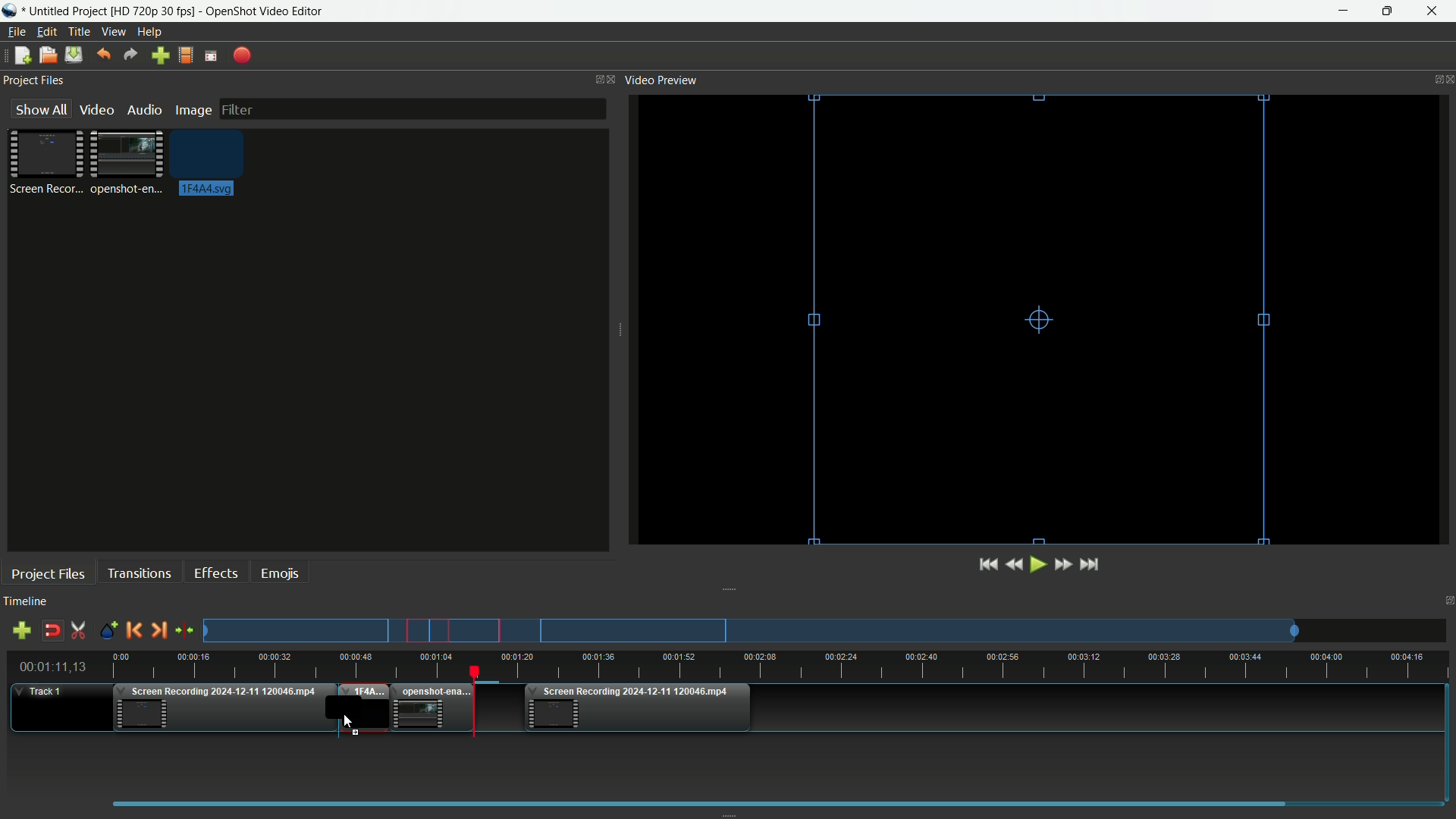 The image size is (1456, 819). I want to click on Jump to start, so click(986, 565).